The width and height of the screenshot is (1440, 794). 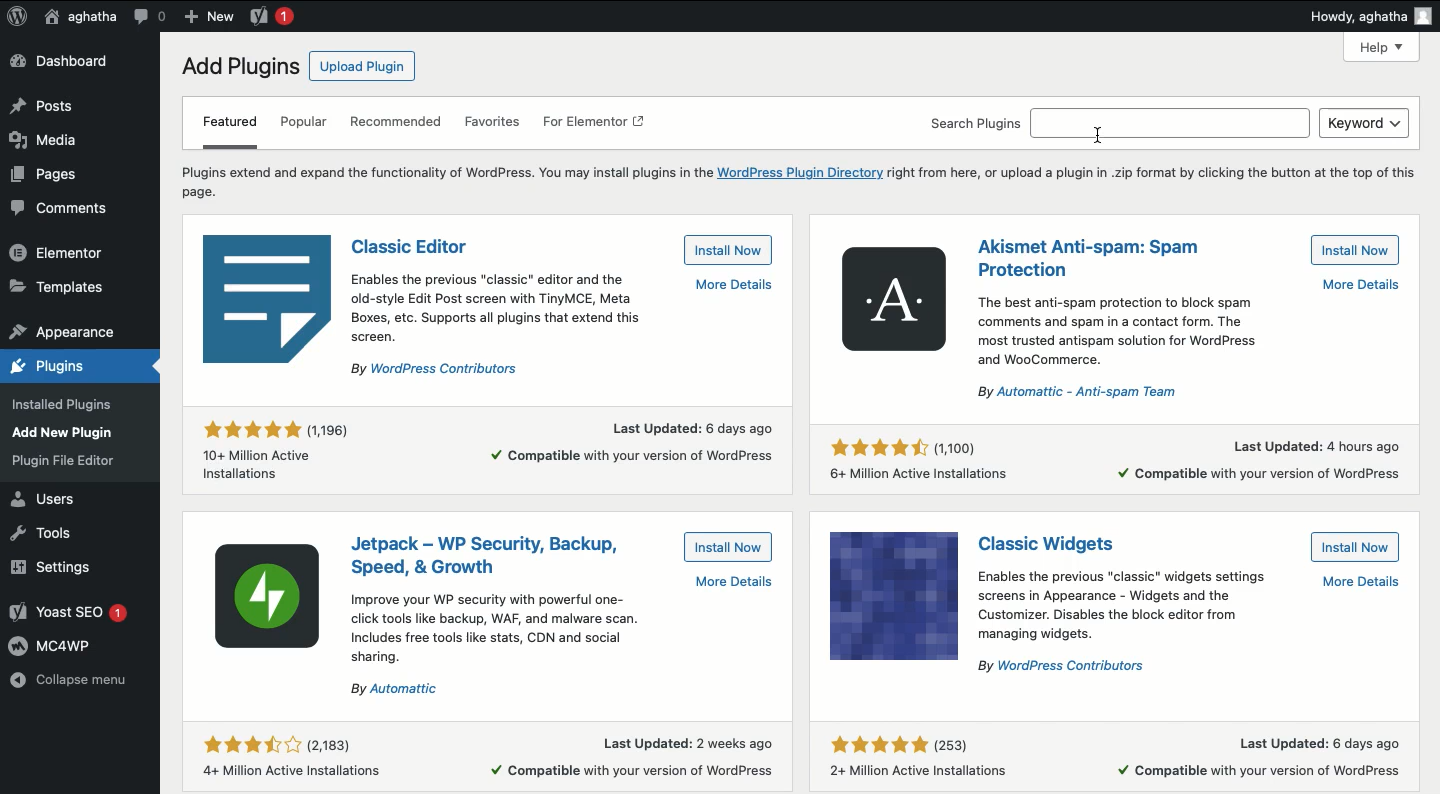 I want to click on Recommended, so click(x=399, y=124).